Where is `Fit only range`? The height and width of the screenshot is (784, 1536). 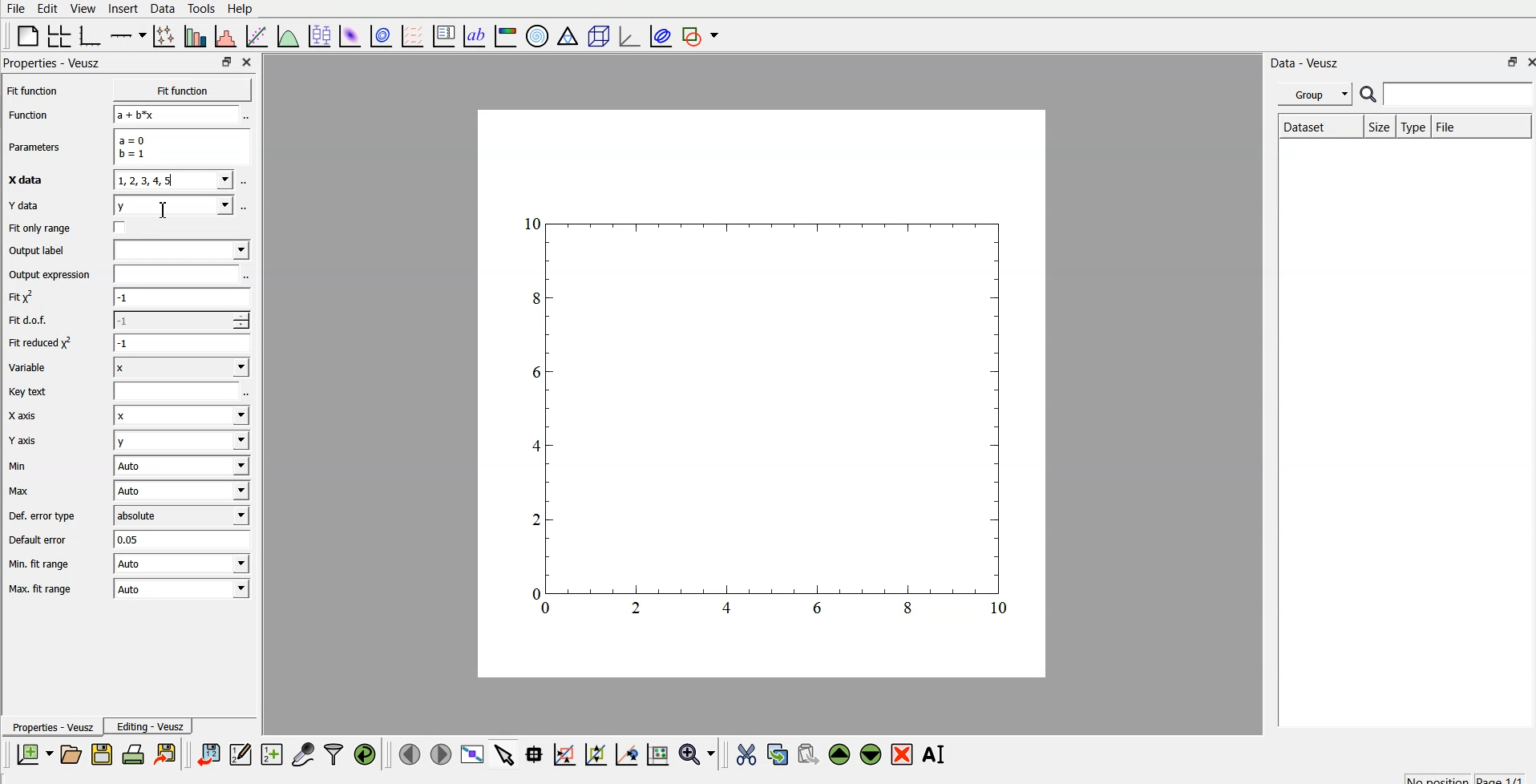
Fit only range is located at coordinates (49, 228).